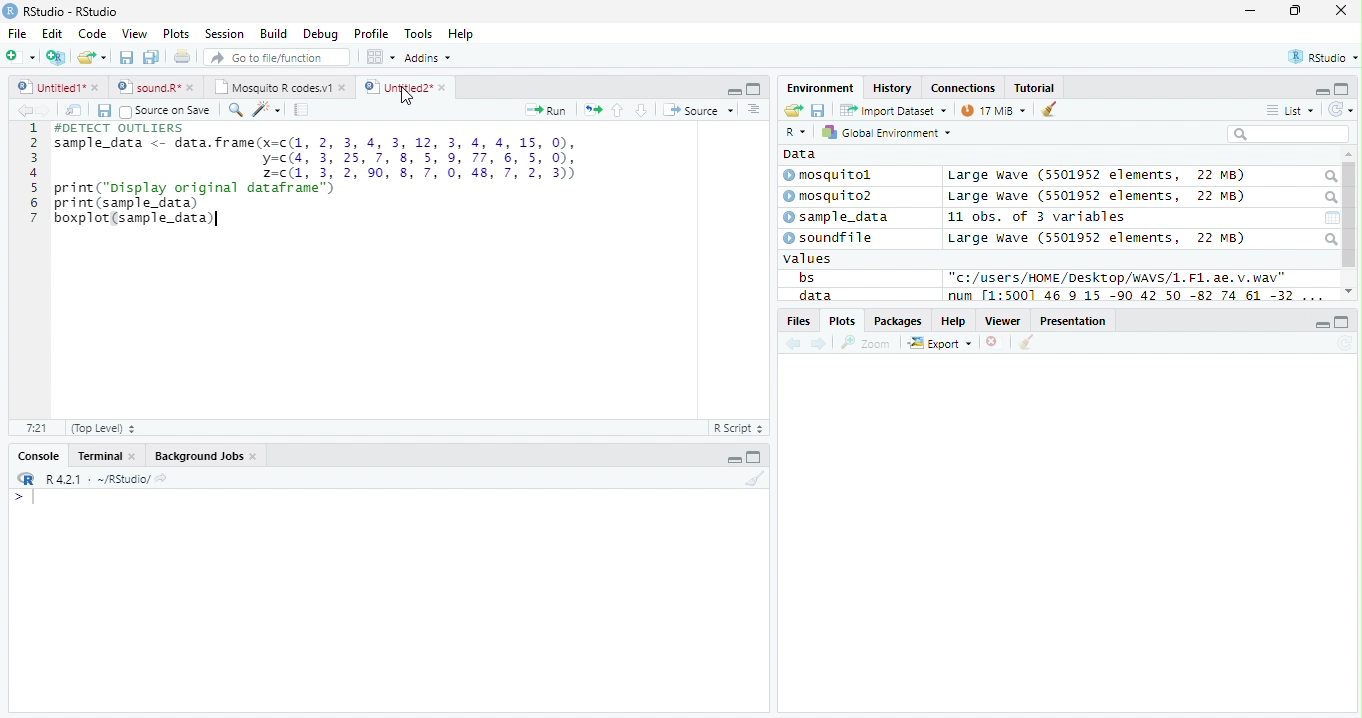 The height and width of the screenshot is (718, 1362). Describe the element at coordinates (25, 109) in the screenshot. I see `Go backward` at that location.